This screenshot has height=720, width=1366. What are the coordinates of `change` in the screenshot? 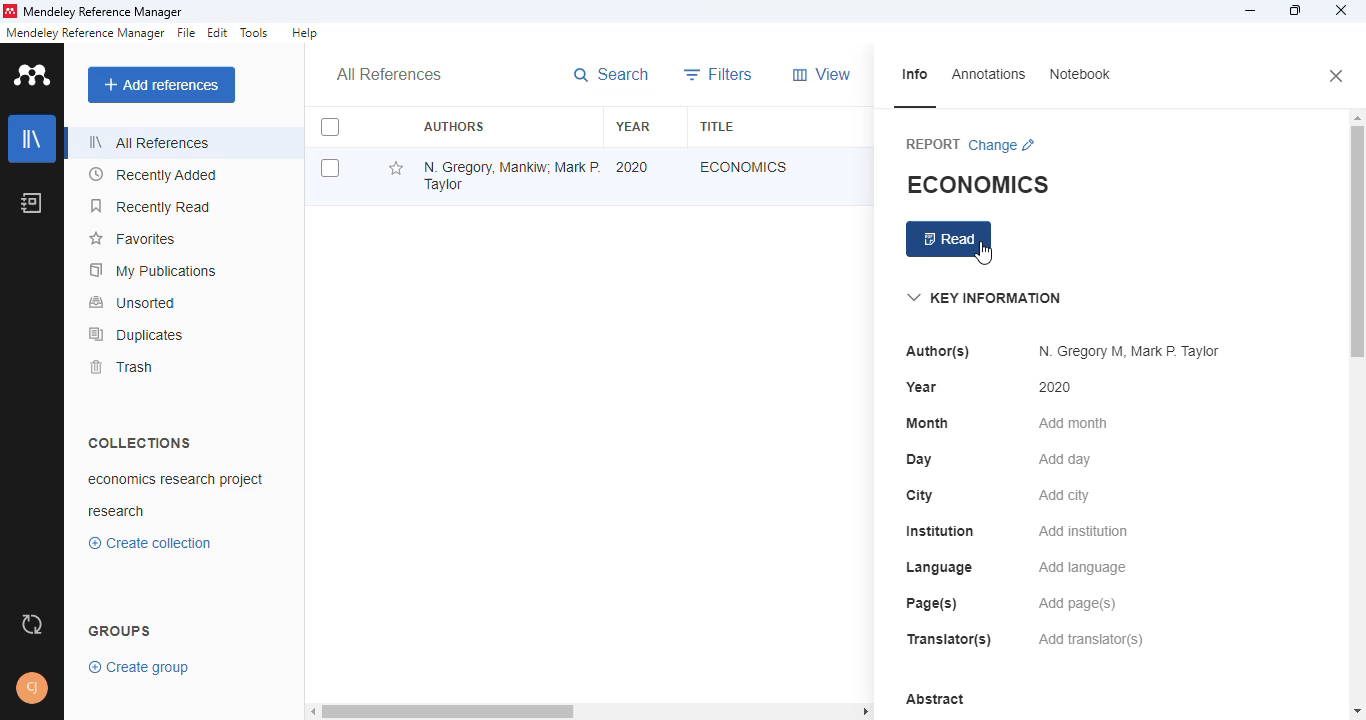 It's located at (1003, 146).